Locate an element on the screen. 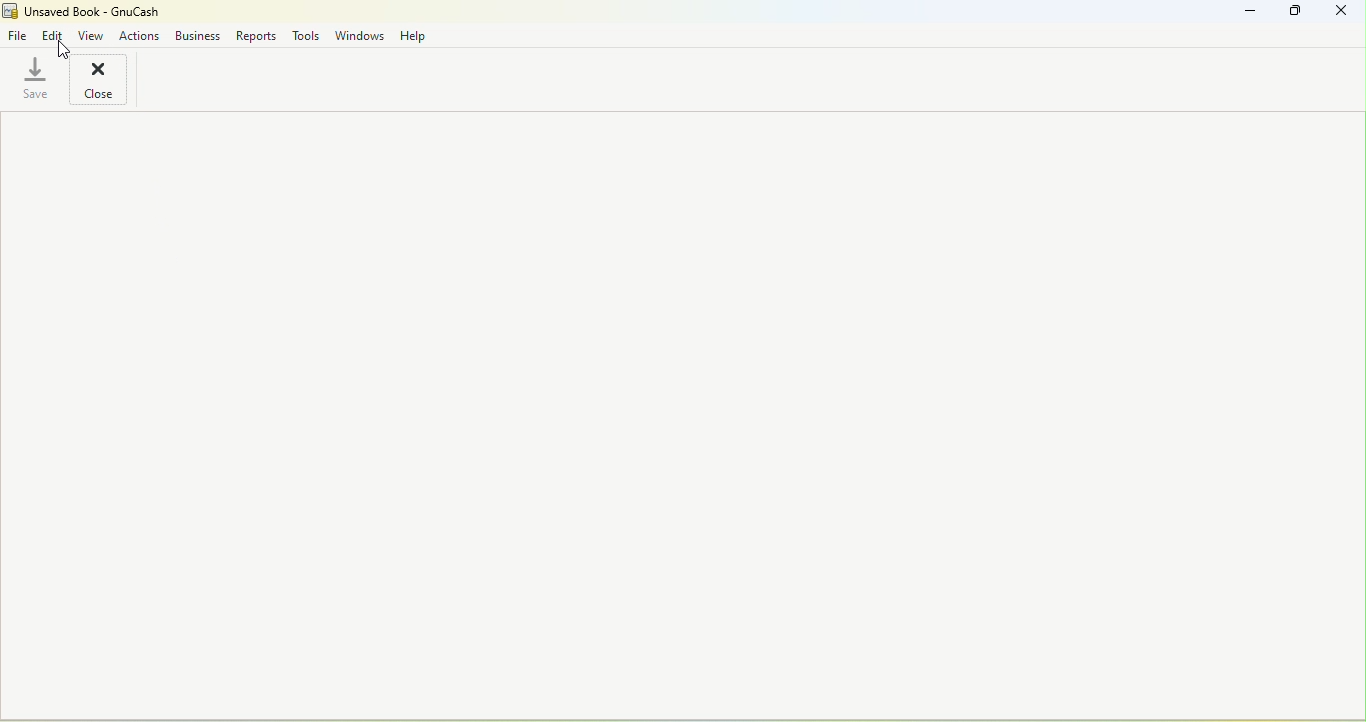 The height and width of the screenshot is (722, 1366). Minimize is located at coordinates (1252, 11).